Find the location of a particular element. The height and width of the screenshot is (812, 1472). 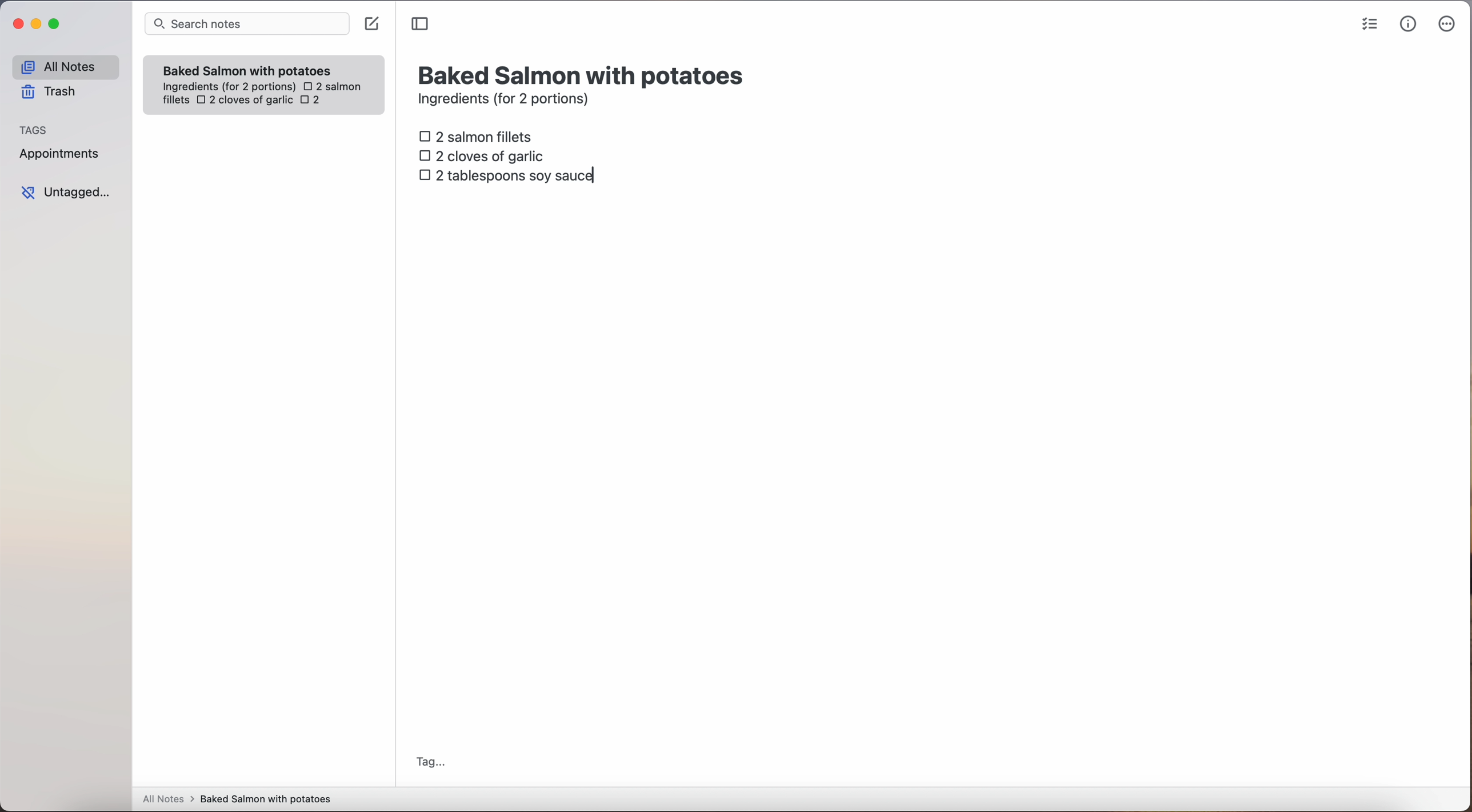

2 salmon fillets is located at coordinates (479, 135).